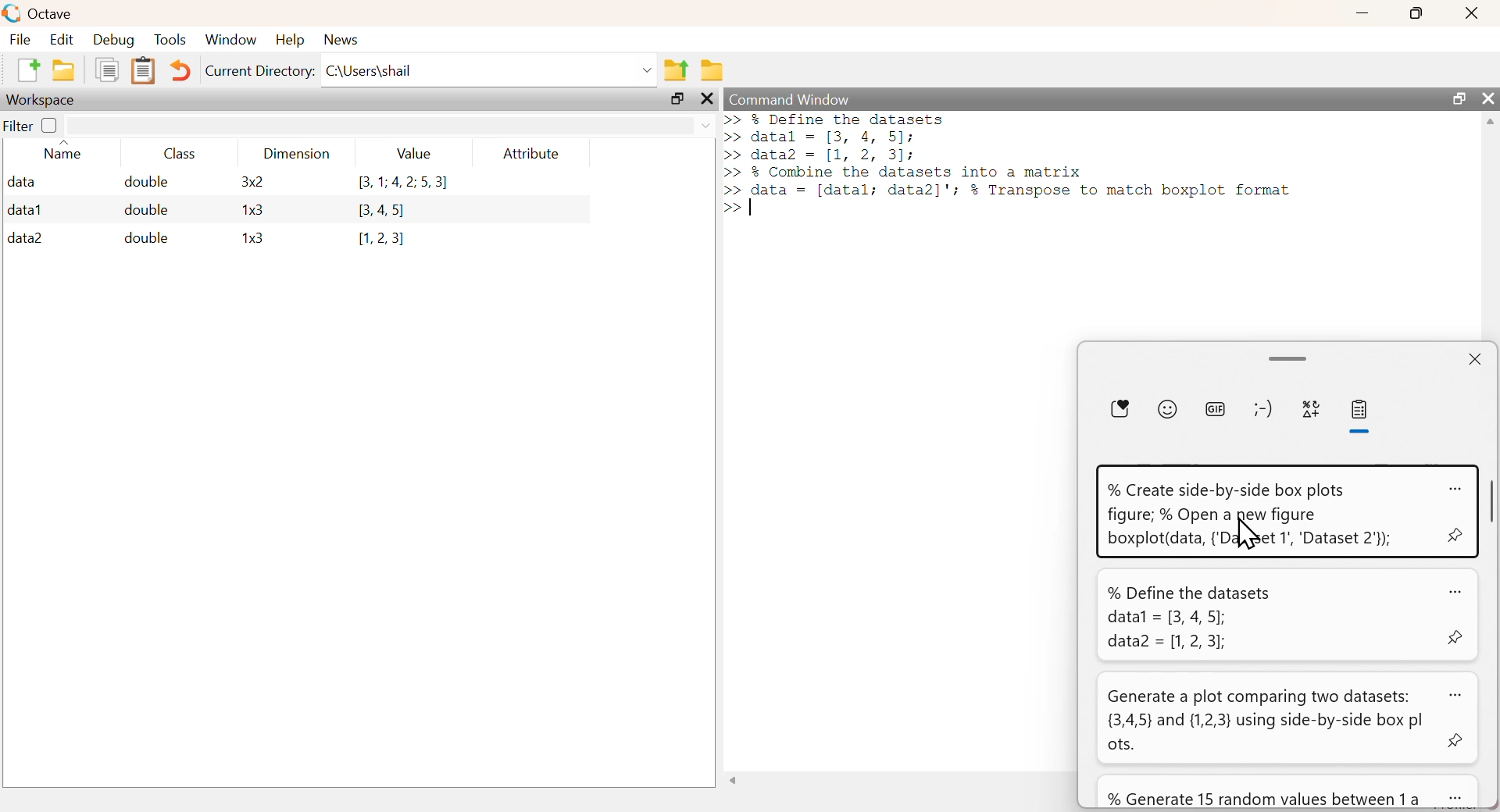 The image size is (1500, 812). Describe the element at coordinates (1417, 12) in the screenshot. I see `maximize` at that location.